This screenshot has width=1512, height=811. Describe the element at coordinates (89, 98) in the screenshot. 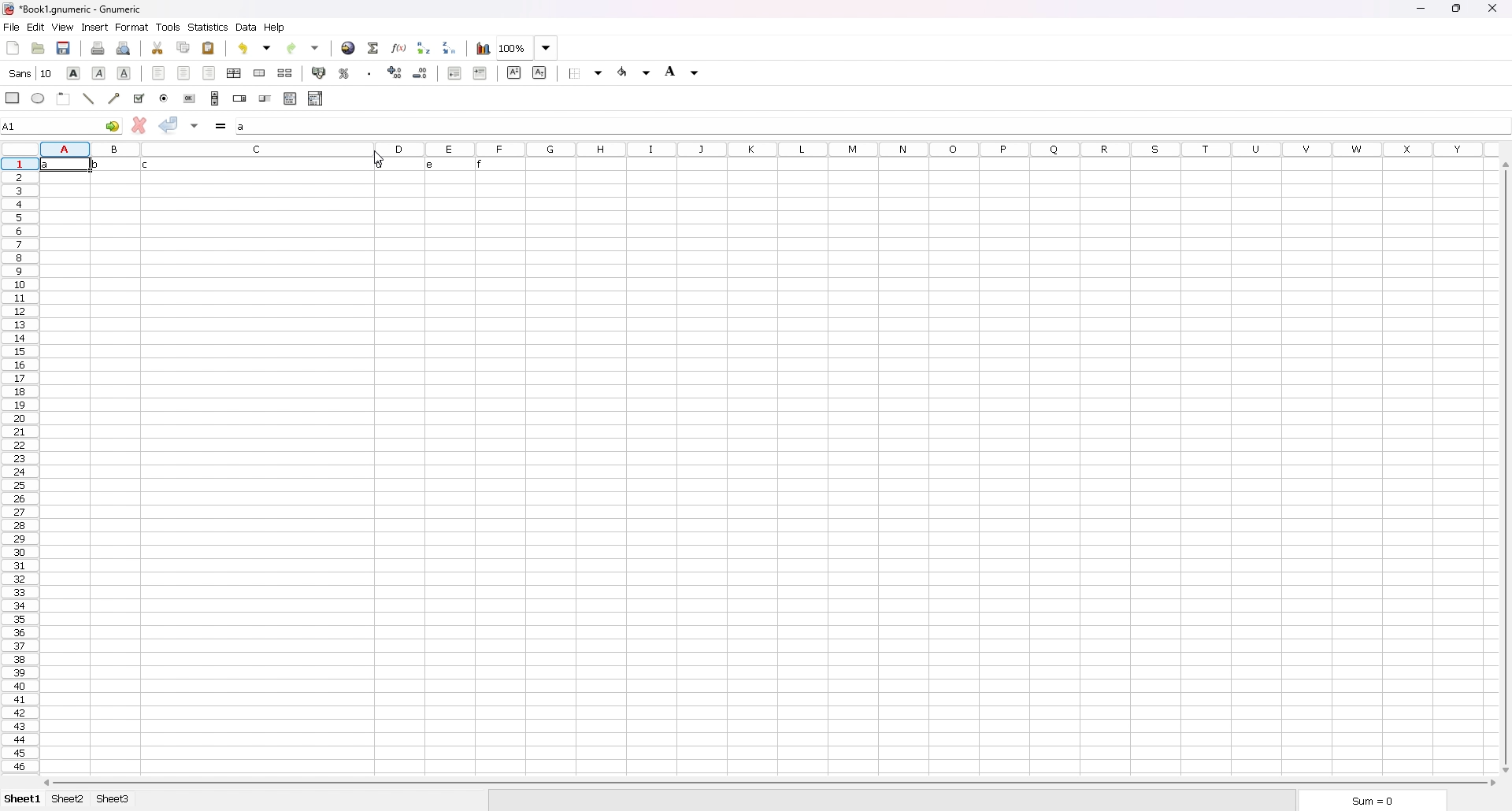

I see `line` at that location.